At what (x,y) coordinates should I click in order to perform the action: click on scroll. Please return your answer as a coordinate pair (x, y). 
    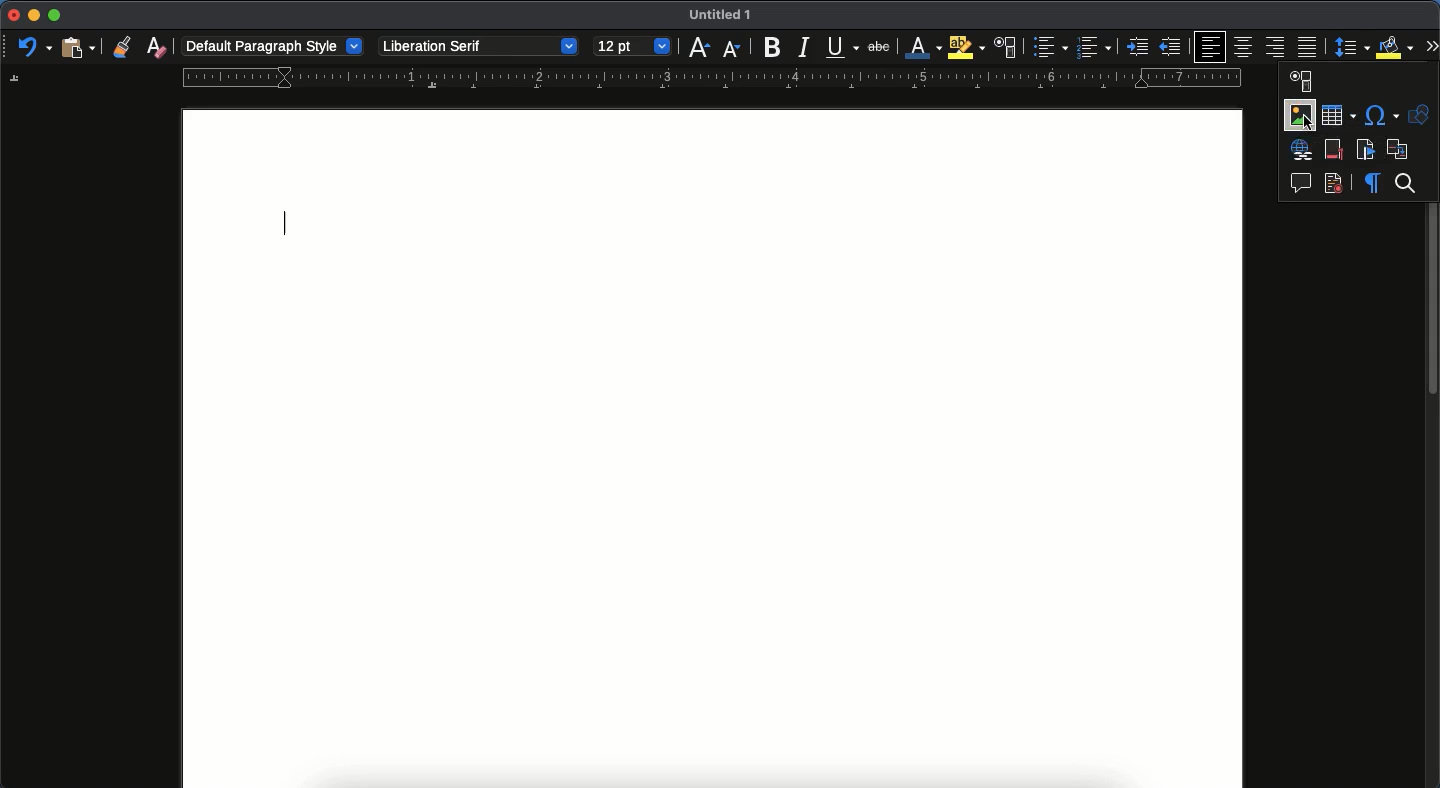
    Looking at the image, I should click on (1433, 496).